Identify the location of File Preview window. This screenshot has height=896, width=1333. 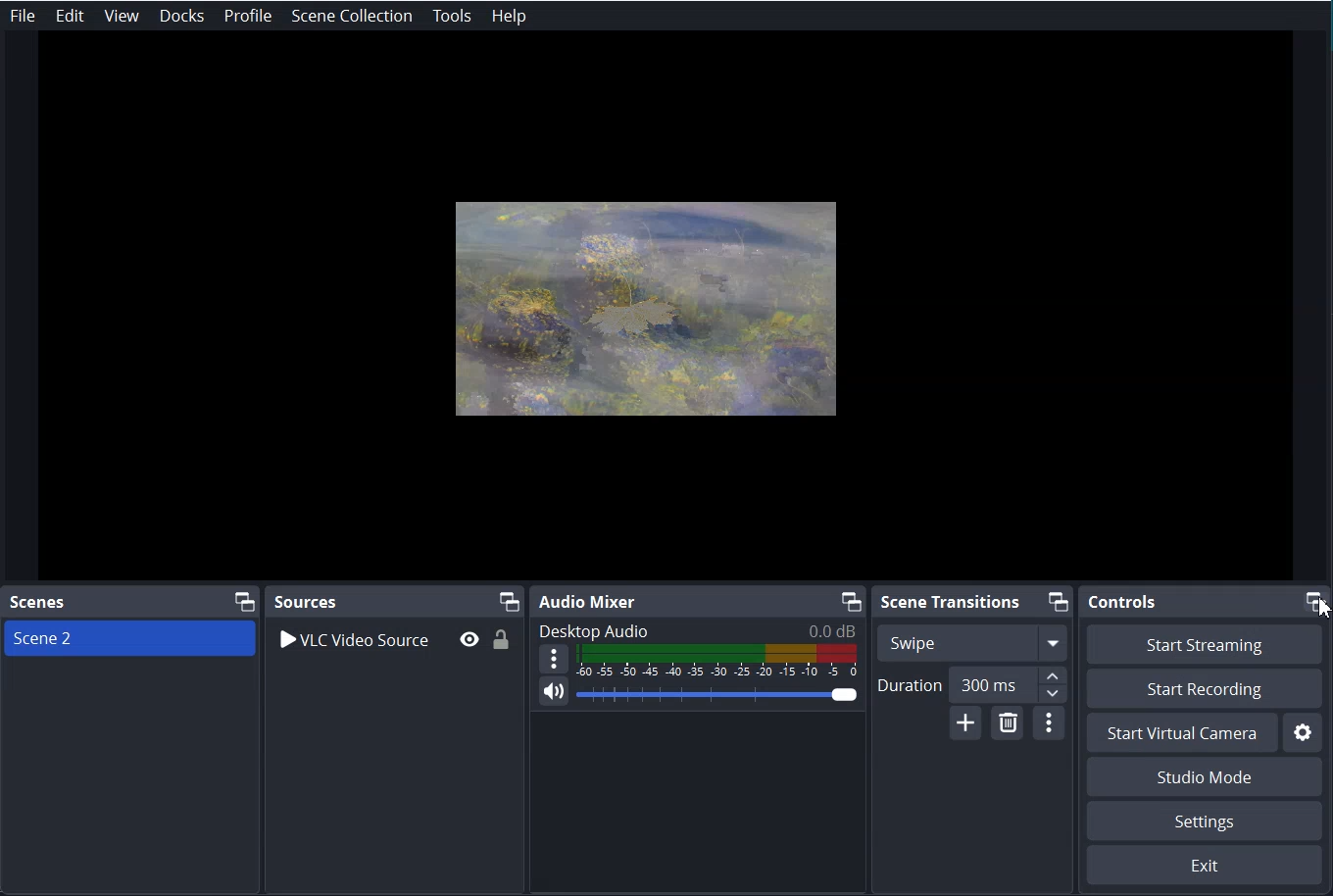
(648, 303).